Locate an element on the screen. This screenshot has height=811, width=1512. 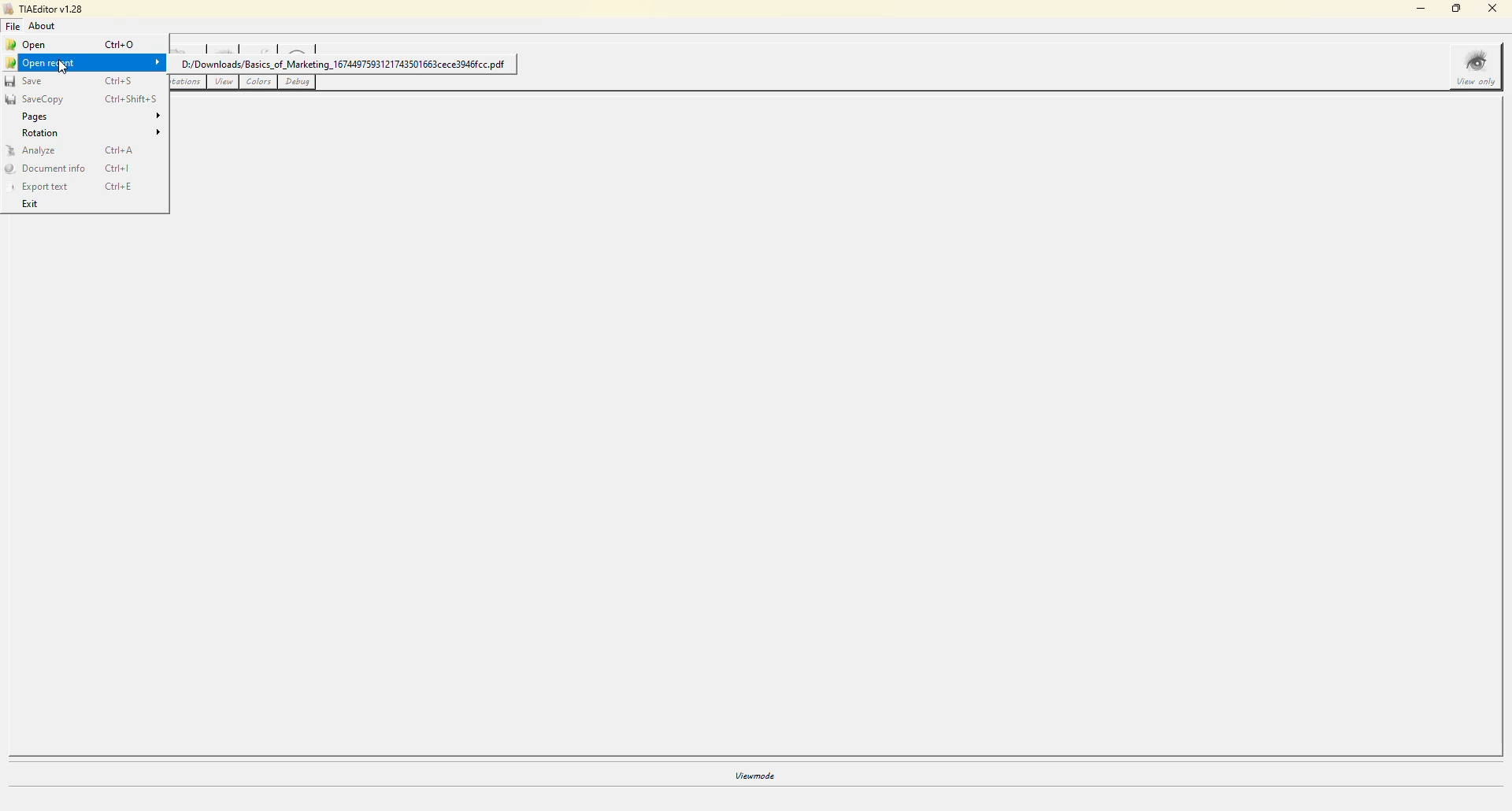
view only is located at coordinates (1473, 65).